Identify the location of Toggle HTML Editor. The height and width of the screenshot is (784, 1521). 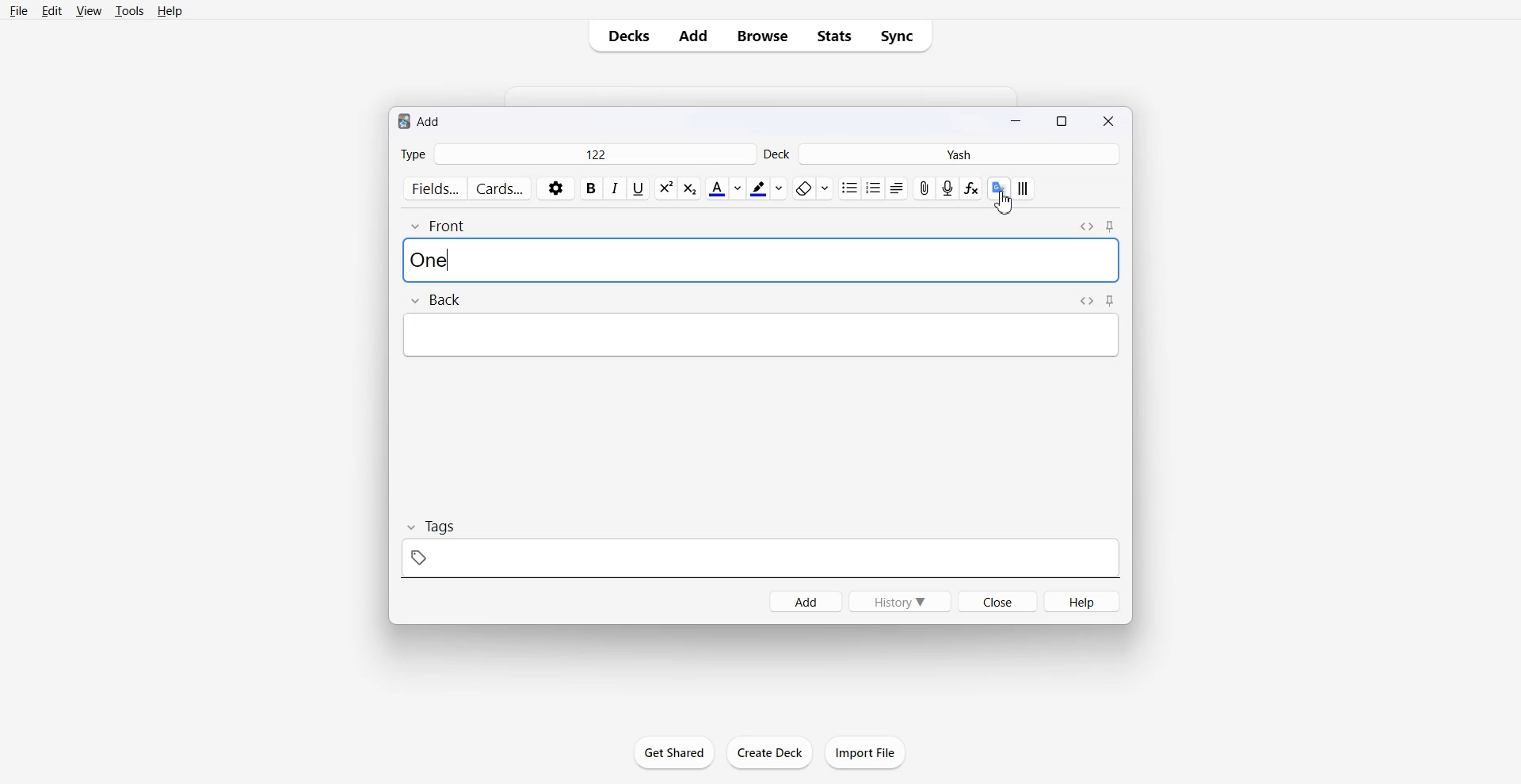
(1086, 225).